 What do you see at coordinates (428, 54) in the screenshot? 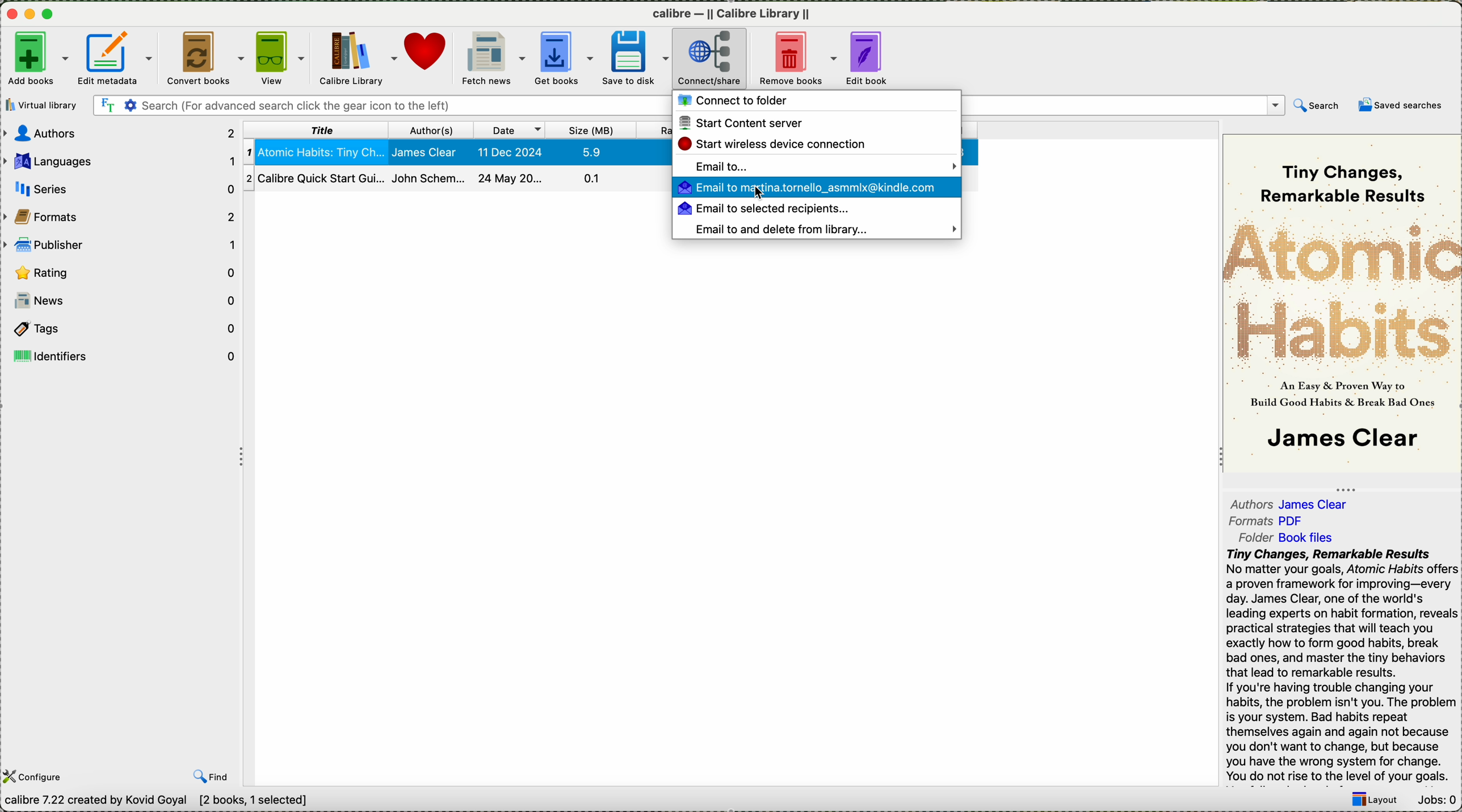
I see `donate` at bounding box center [428, 54].